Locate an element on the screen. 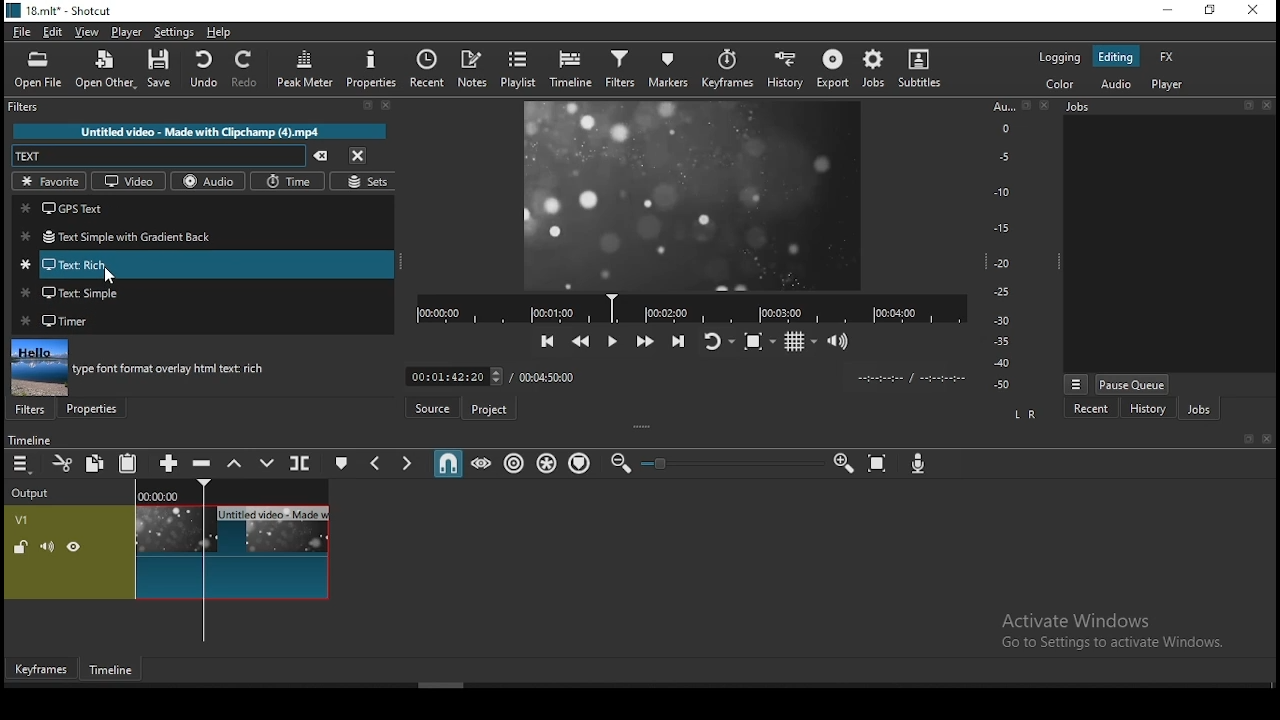 The image size is (1280, 720). keyframes is located at coordinates (42, 669).